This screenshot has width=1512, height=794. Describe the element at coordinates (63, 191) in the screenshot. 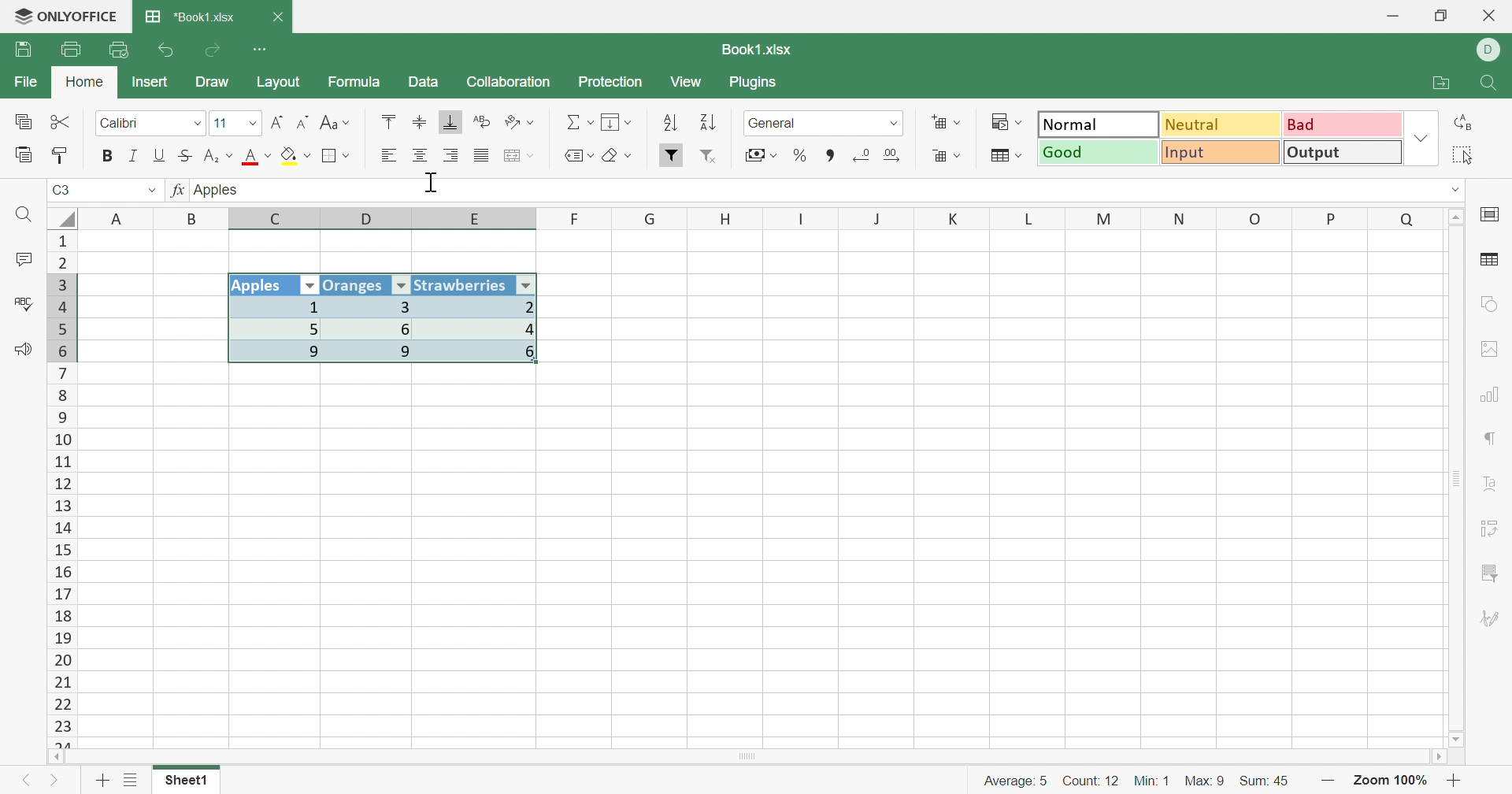

I see `C3` at that location.